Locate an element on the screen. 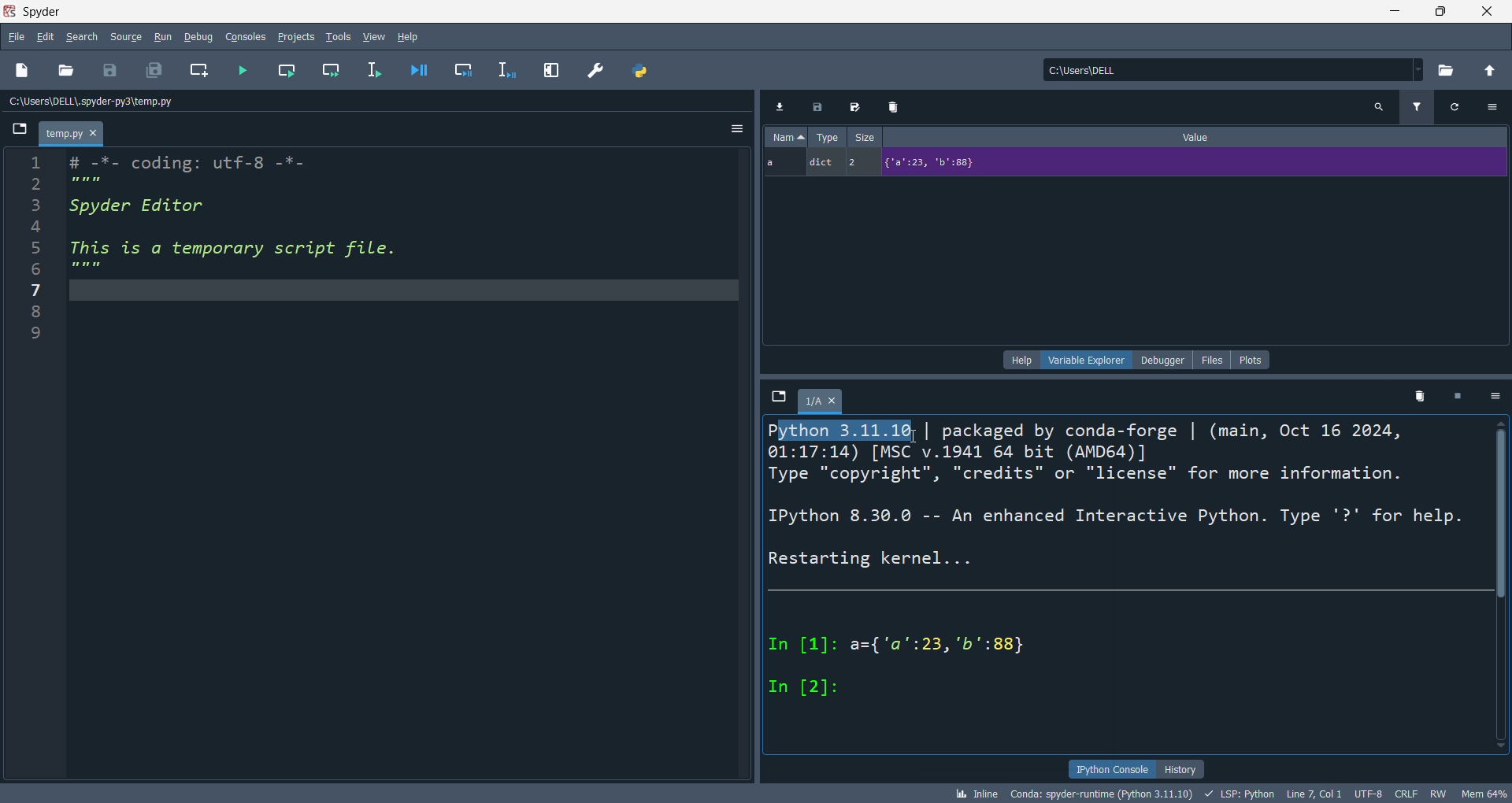  browse tabs is located at coordinates (20, 132).